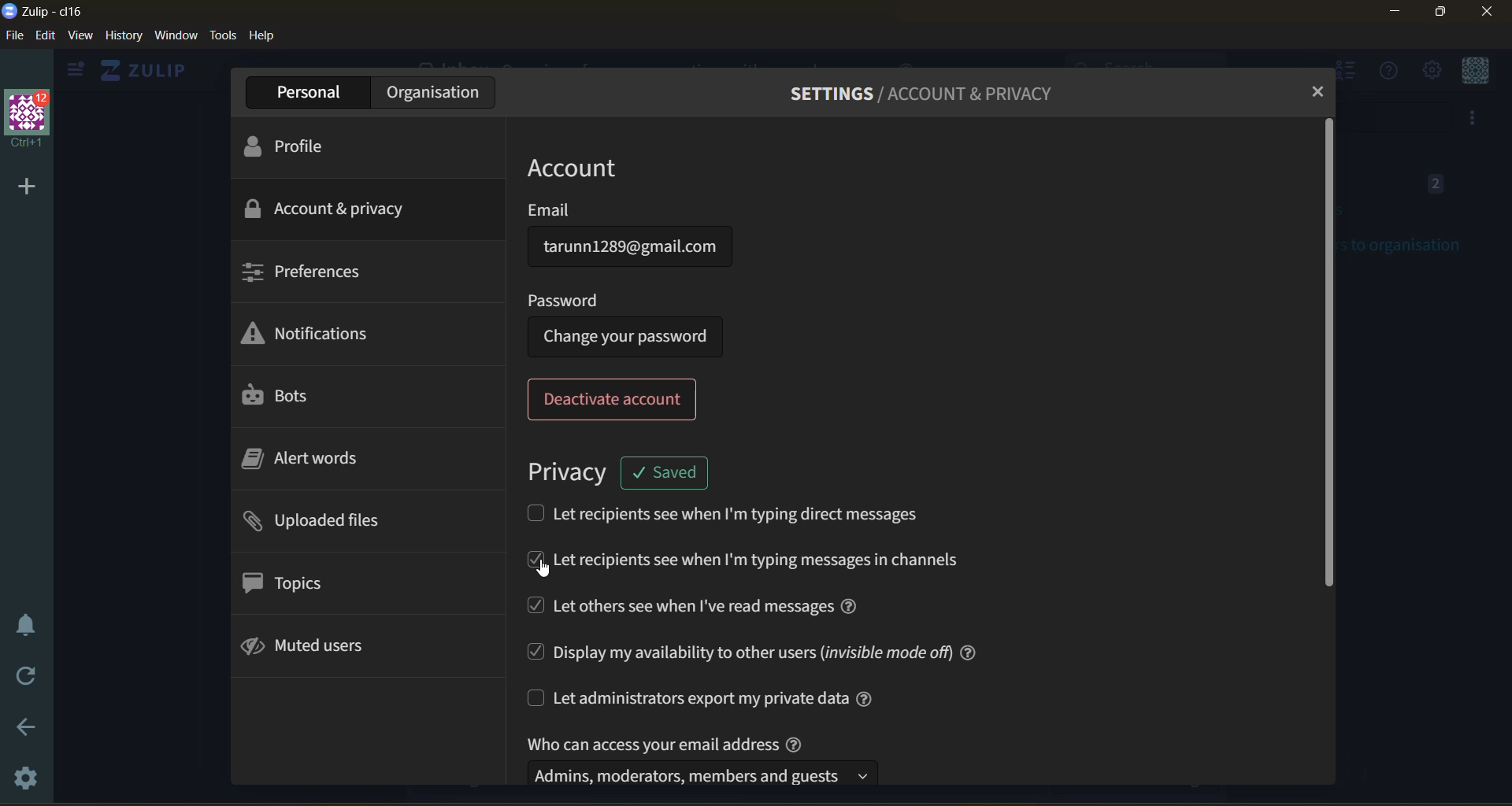 This screenshot has height=806, width=1512. What do you see at coordinates (632, 238) in the screenshot?
I see `email: tarunn1289@gmail.com` at bounding box center [632, 238].